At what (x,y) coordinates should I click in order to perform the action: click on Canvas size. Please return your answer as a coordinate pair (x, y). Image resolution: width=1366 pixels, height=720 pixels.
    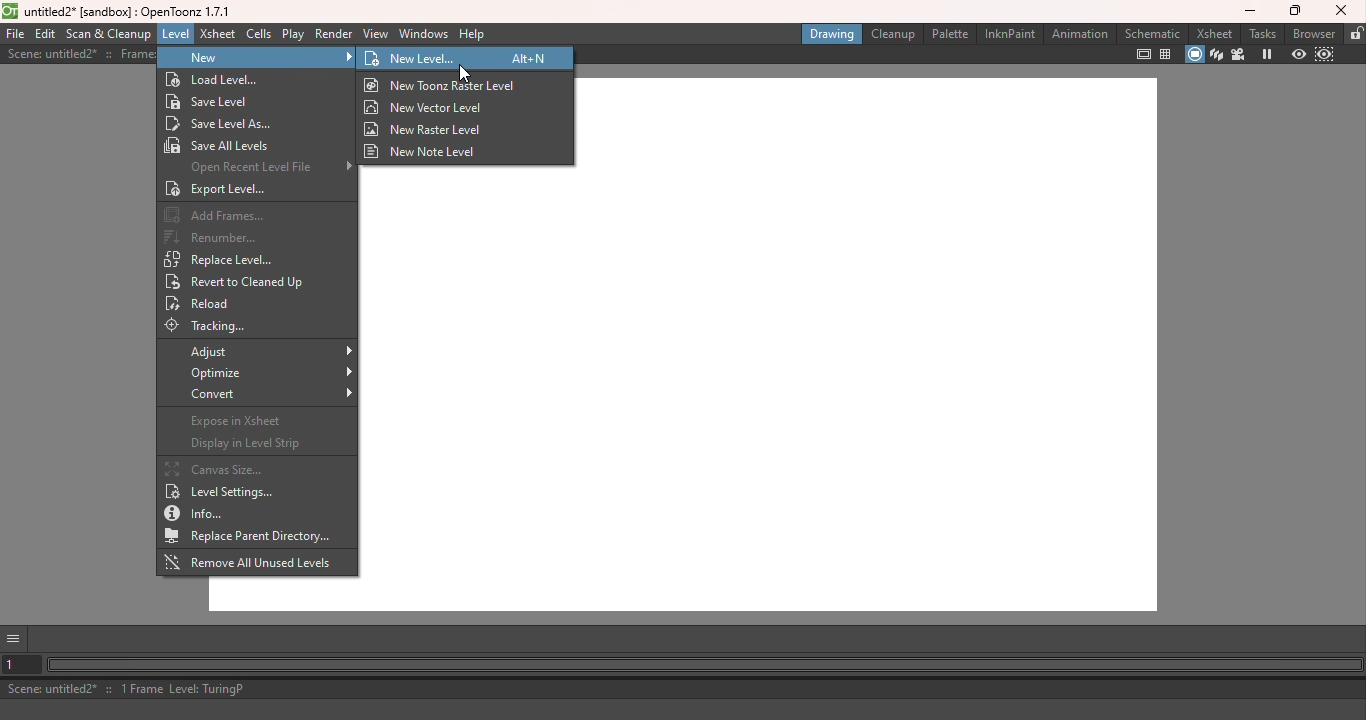
    Looking at the image, I should click on (218, 469).